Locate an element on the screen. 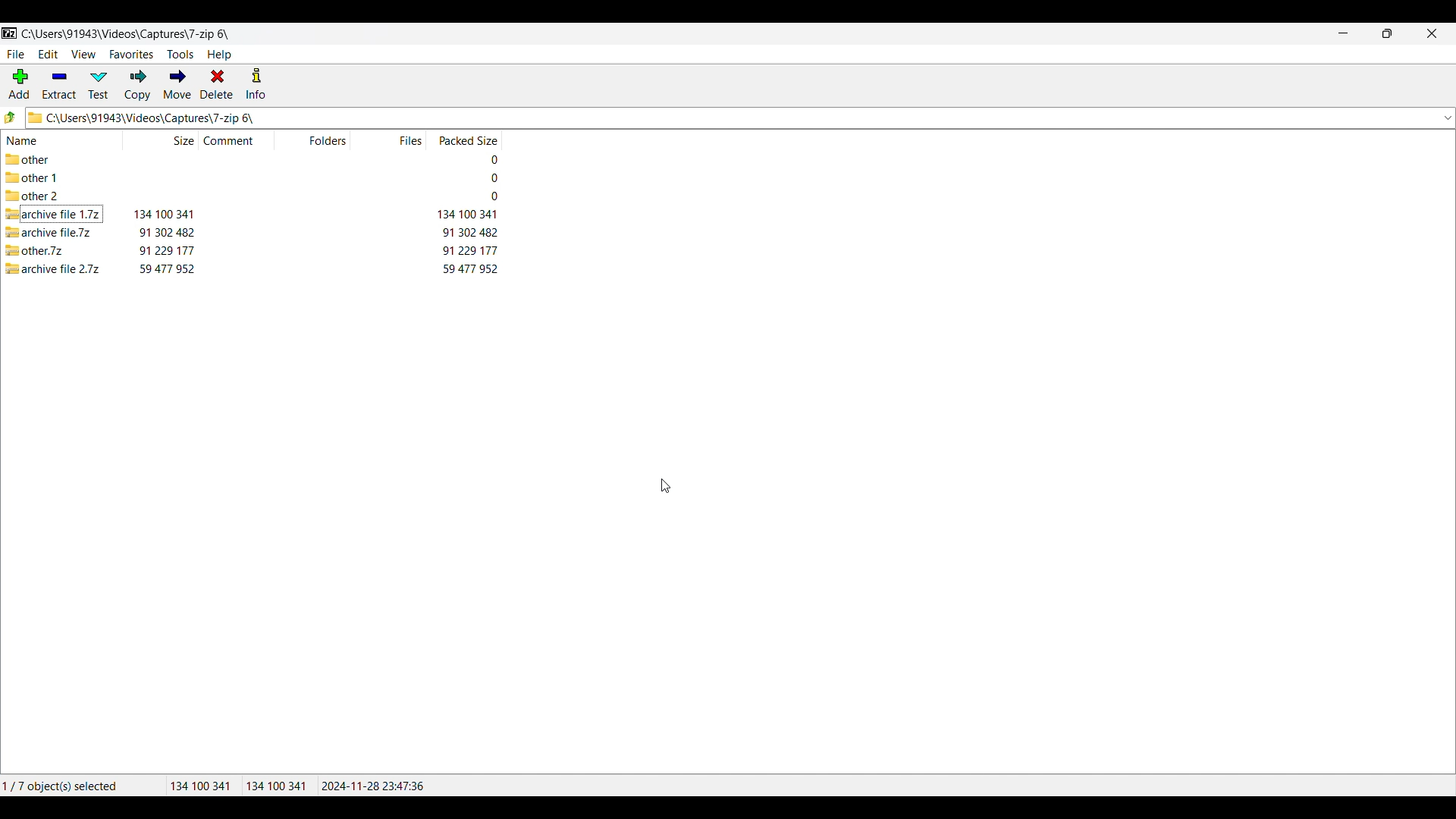 The width and height of the screenshot is (1456, 819). packed size is located at coordinates (466, 215).